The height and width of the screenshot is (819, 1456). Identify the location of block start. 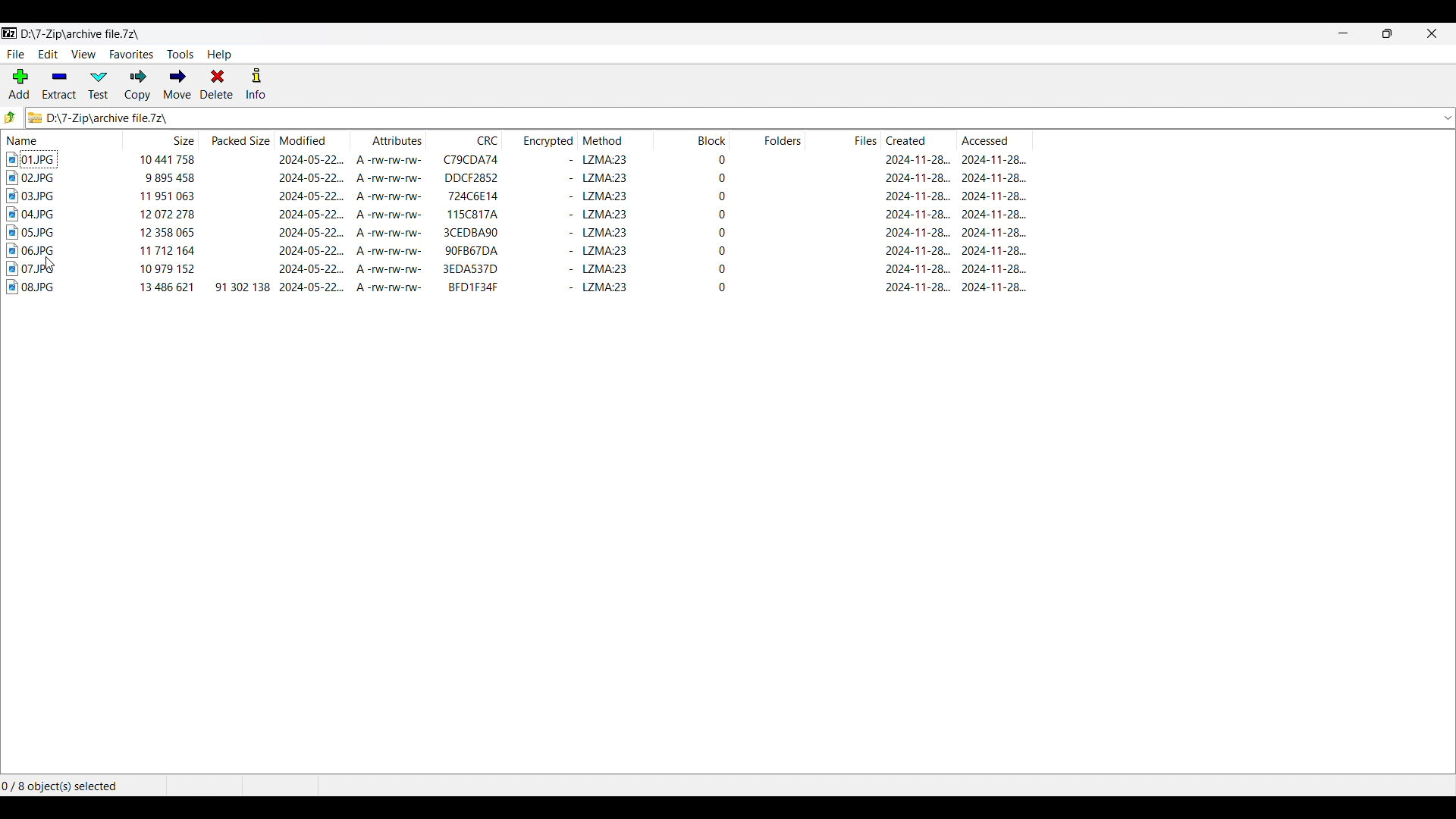
(717, 231).